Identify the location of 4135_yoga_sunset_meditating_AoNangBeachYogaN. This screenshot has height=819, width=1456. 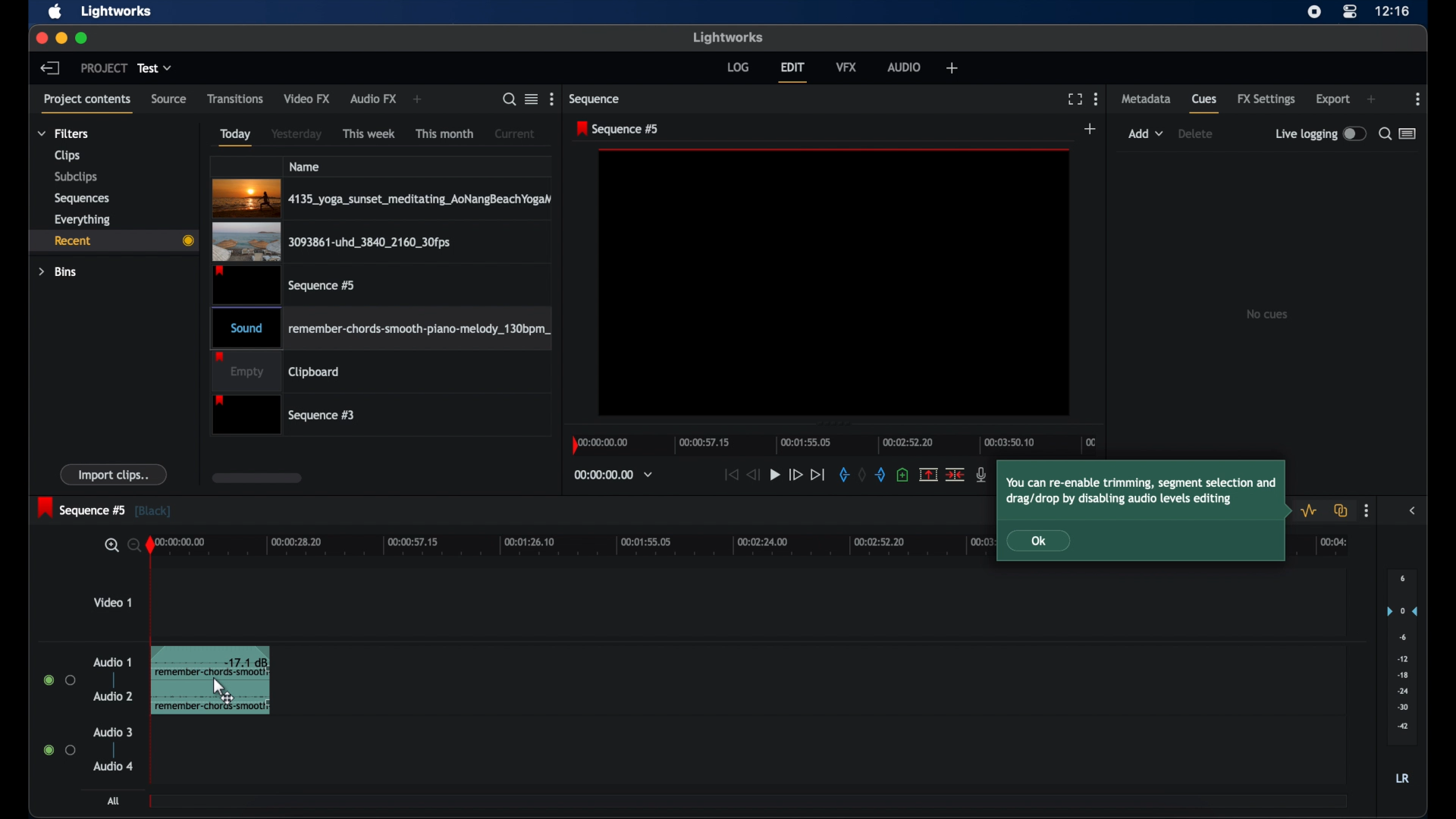
(383, 197).